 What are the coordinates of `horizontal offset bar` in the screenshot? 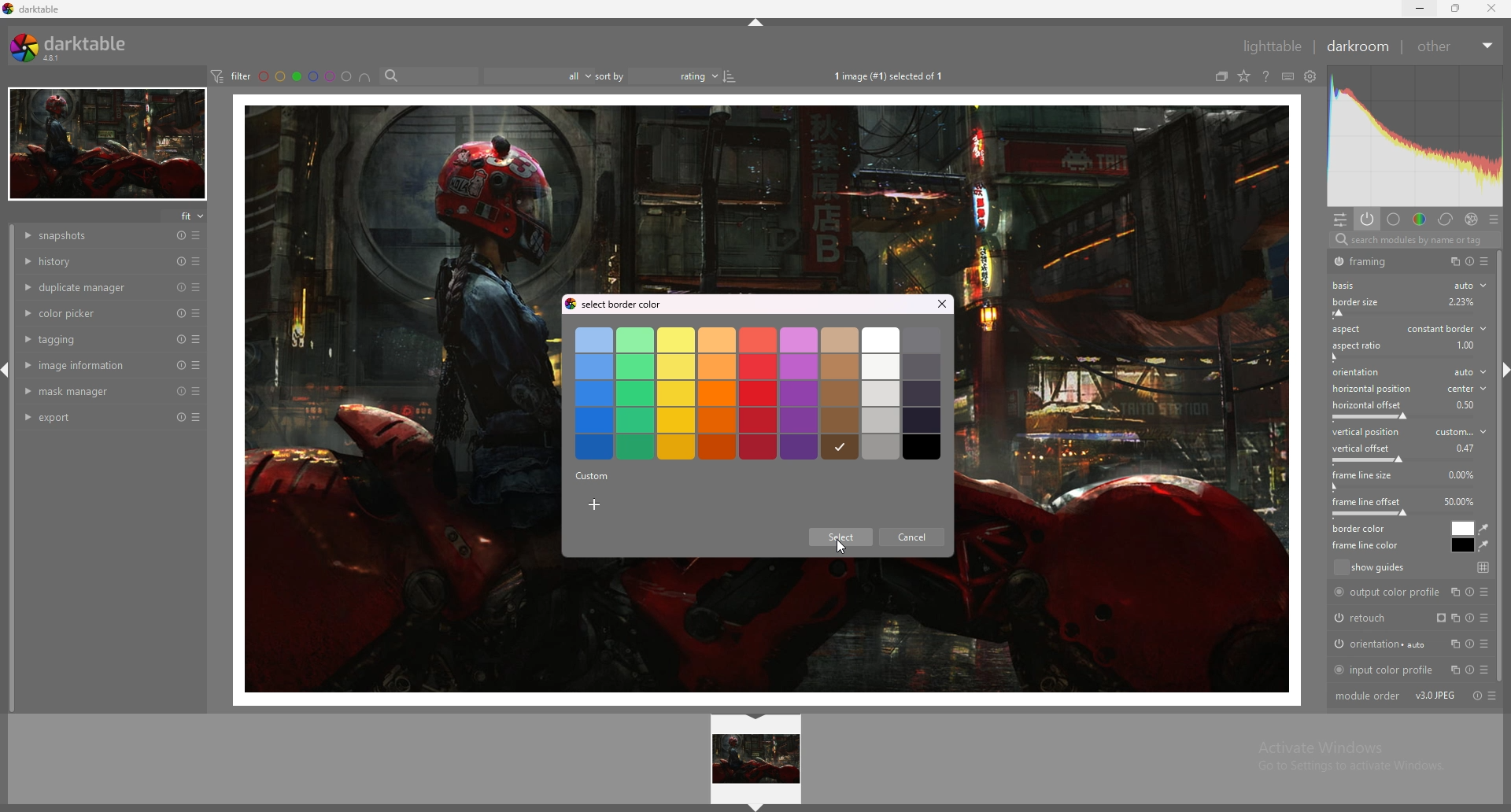 It's located at (1403, 415).